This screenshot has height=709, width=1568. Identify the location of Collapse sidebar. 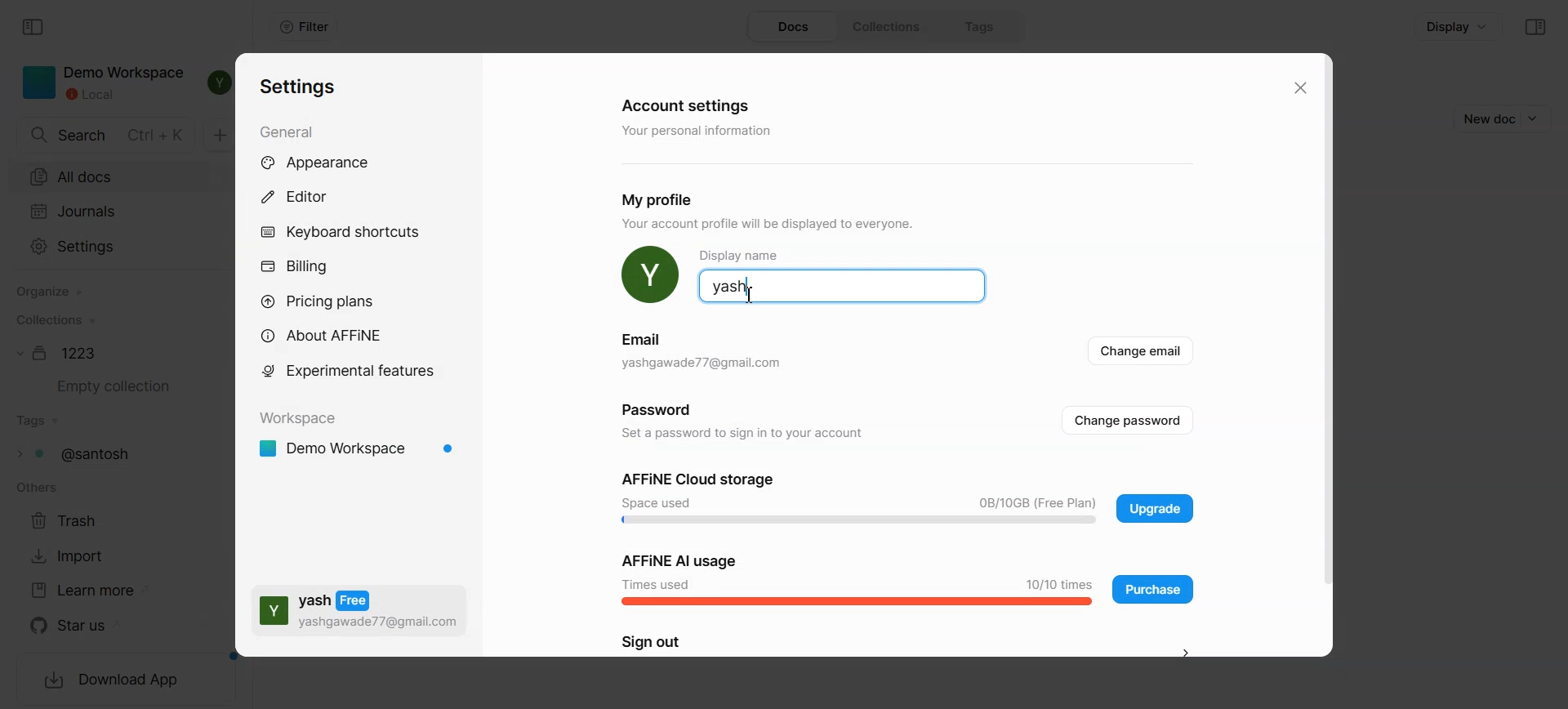
(34, 28).